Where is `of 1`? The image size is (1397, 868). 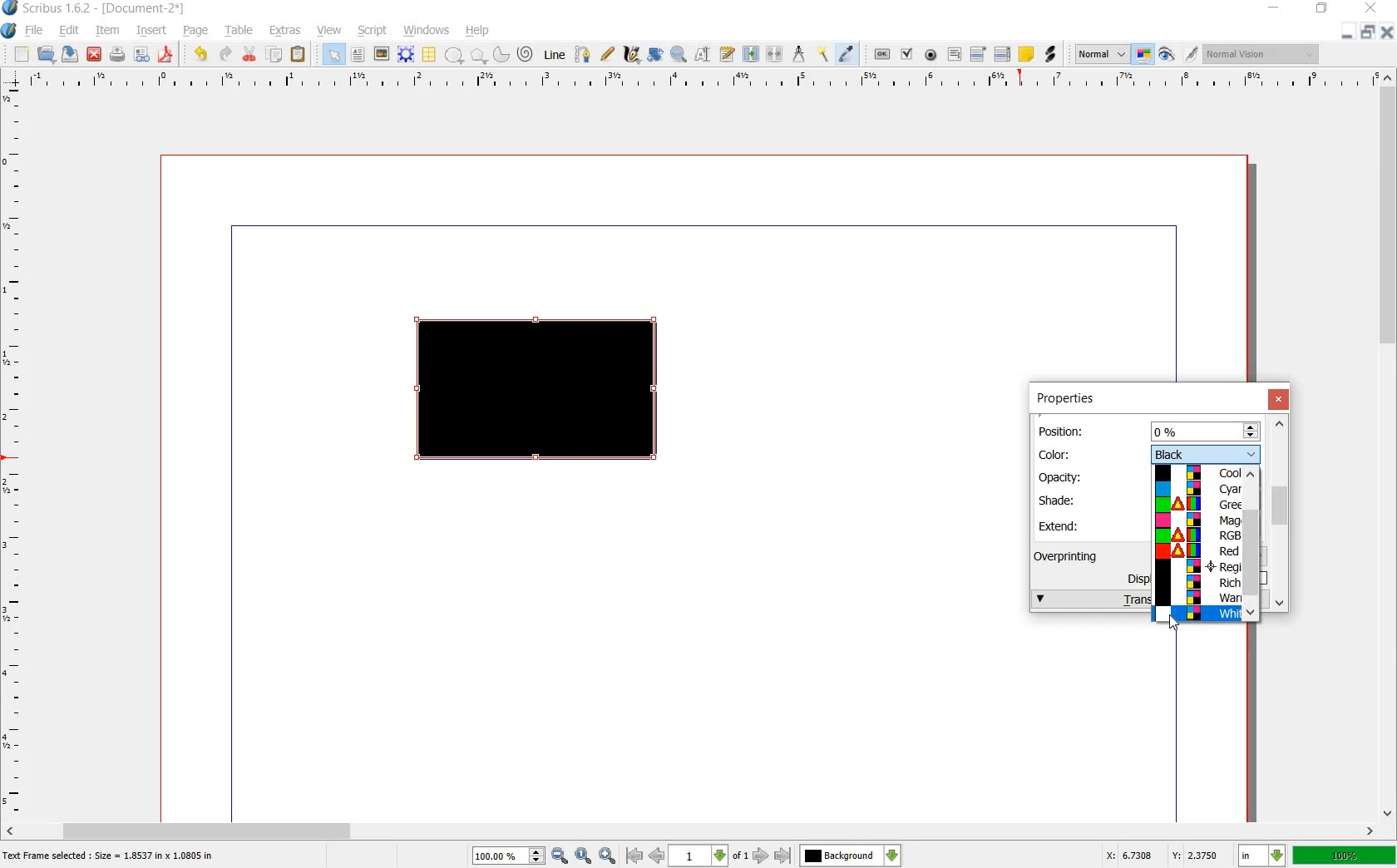 of 1 is located at coordinates (739, 857).